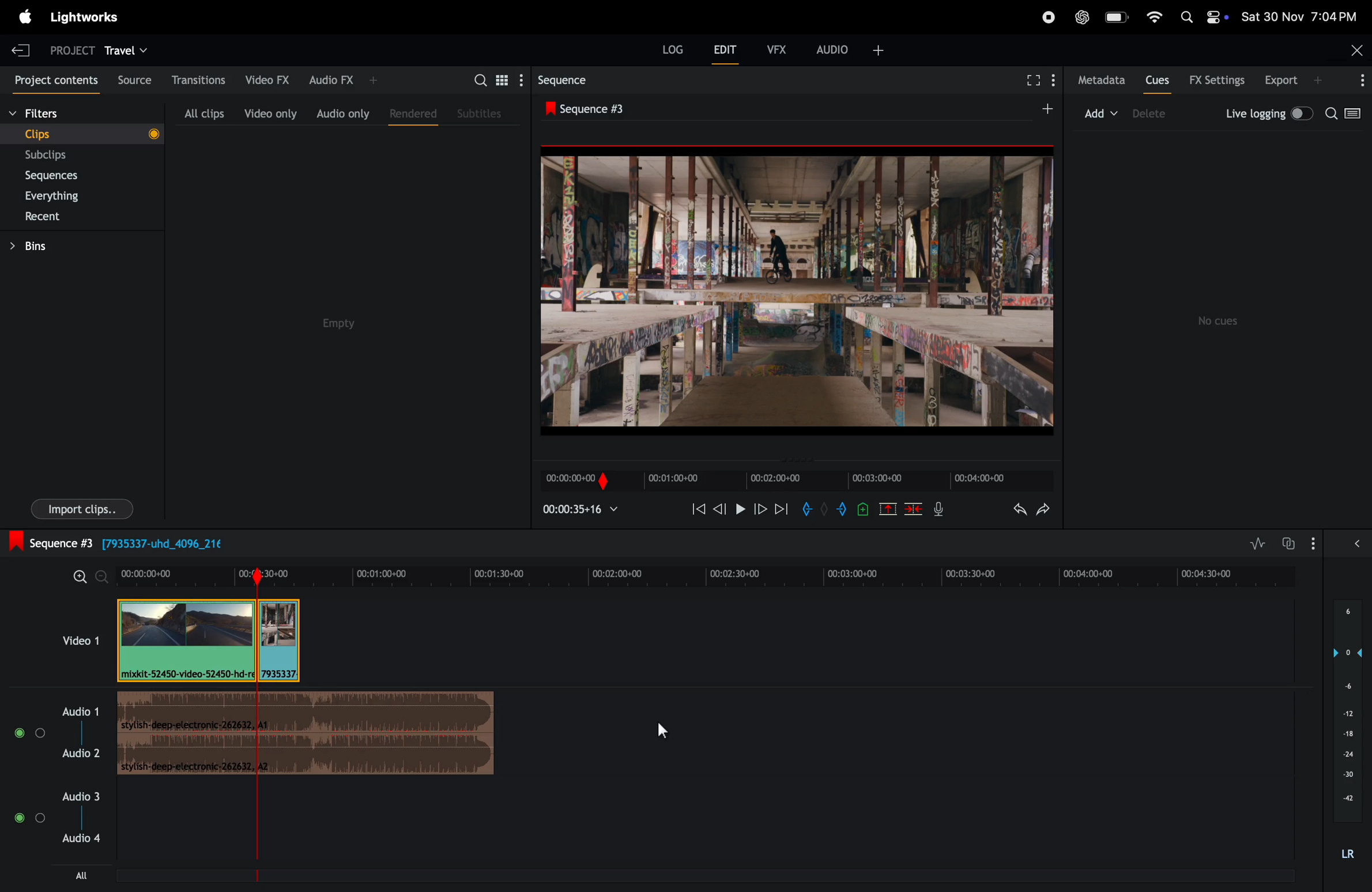 This screenshot has width=1372, height=892. Describe the element at coordinates (82, 508) in the screenshot. I see `import clips` at that location.